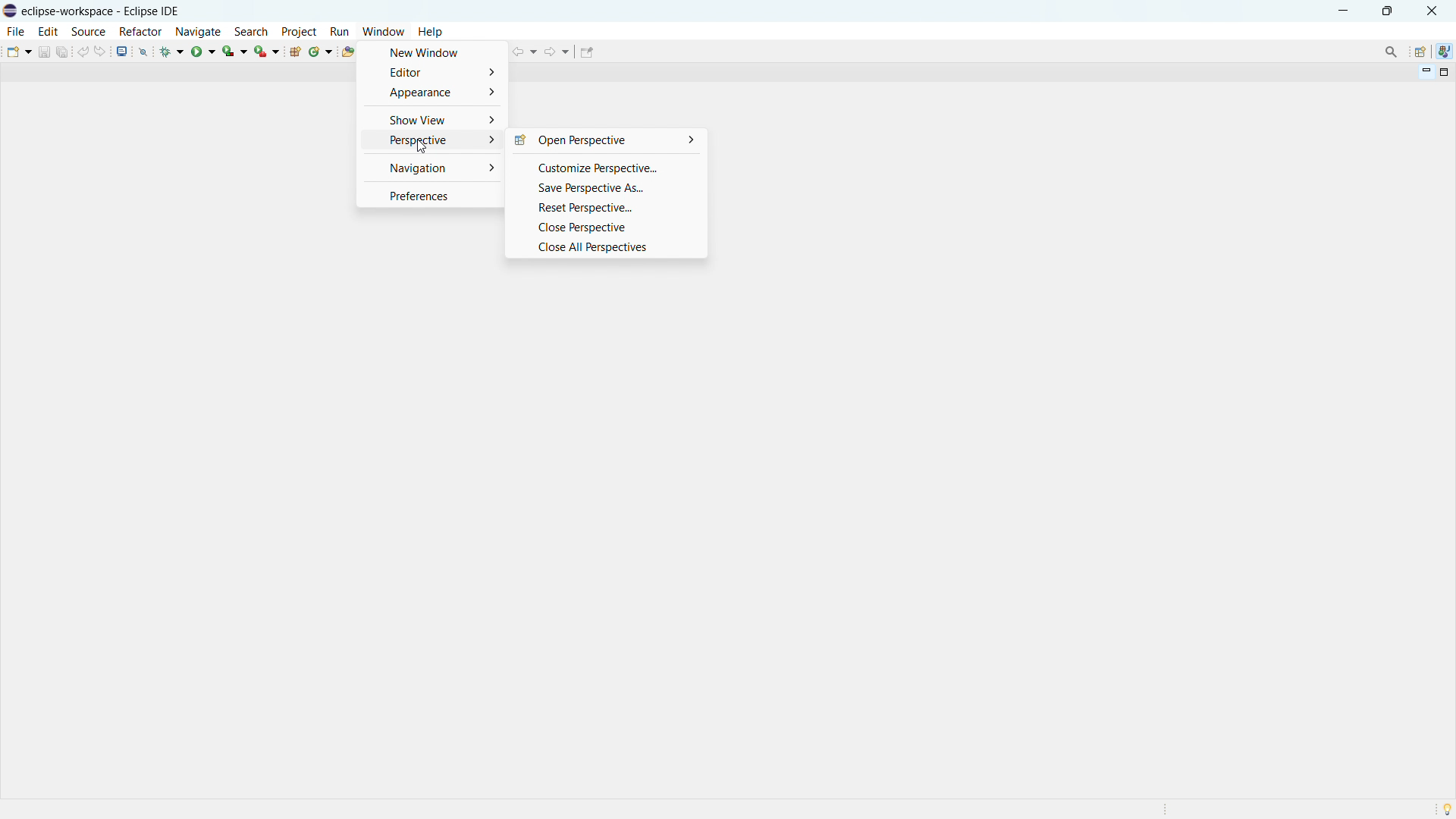 The height and width of the screenshot is (819, 1456). I want to click on skip all breakopoints, so click(143, 51).